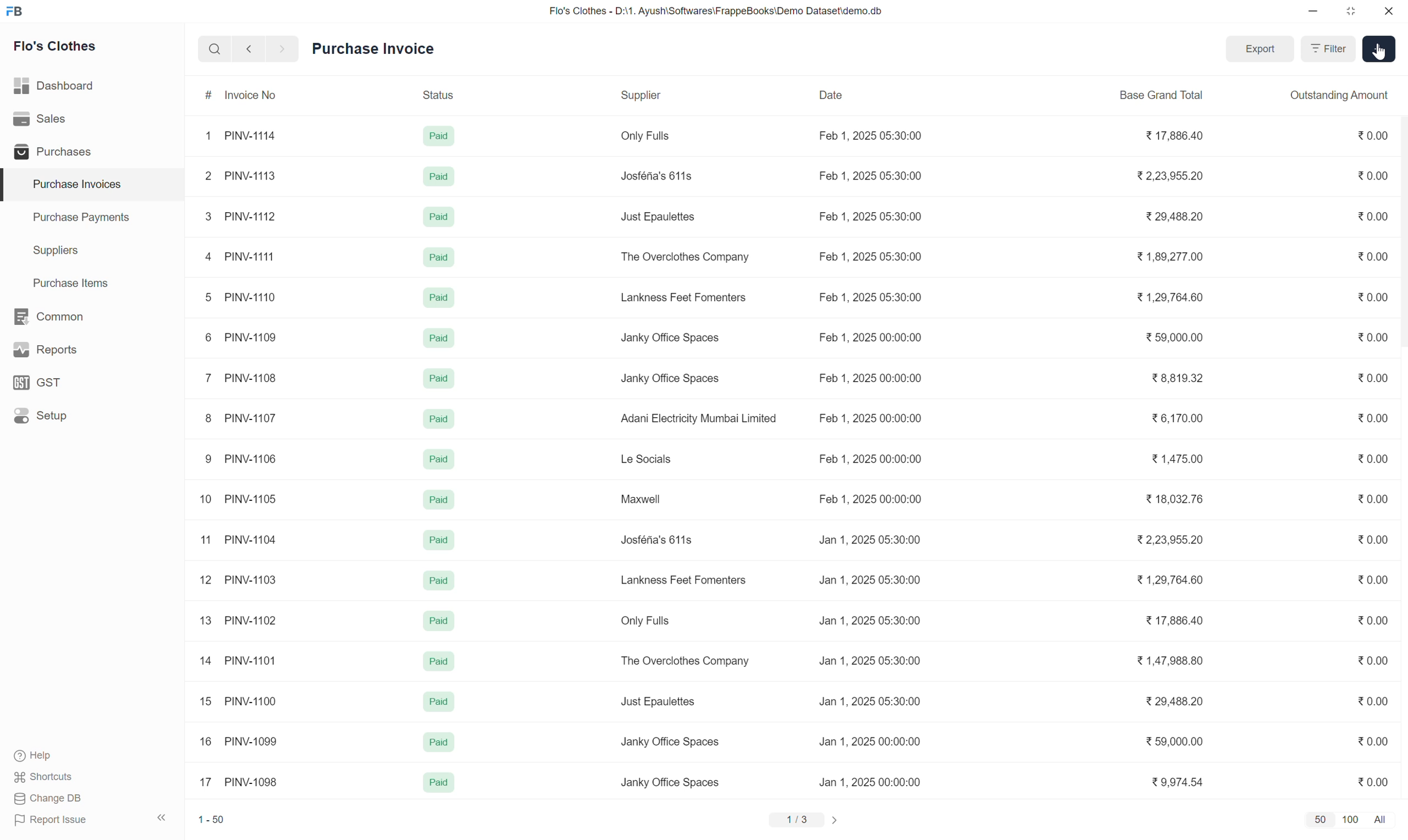 The image size is (1408, 840). Describe the element at coordinates (1372, 701) in the screenshot. I see `0.00` at that location.